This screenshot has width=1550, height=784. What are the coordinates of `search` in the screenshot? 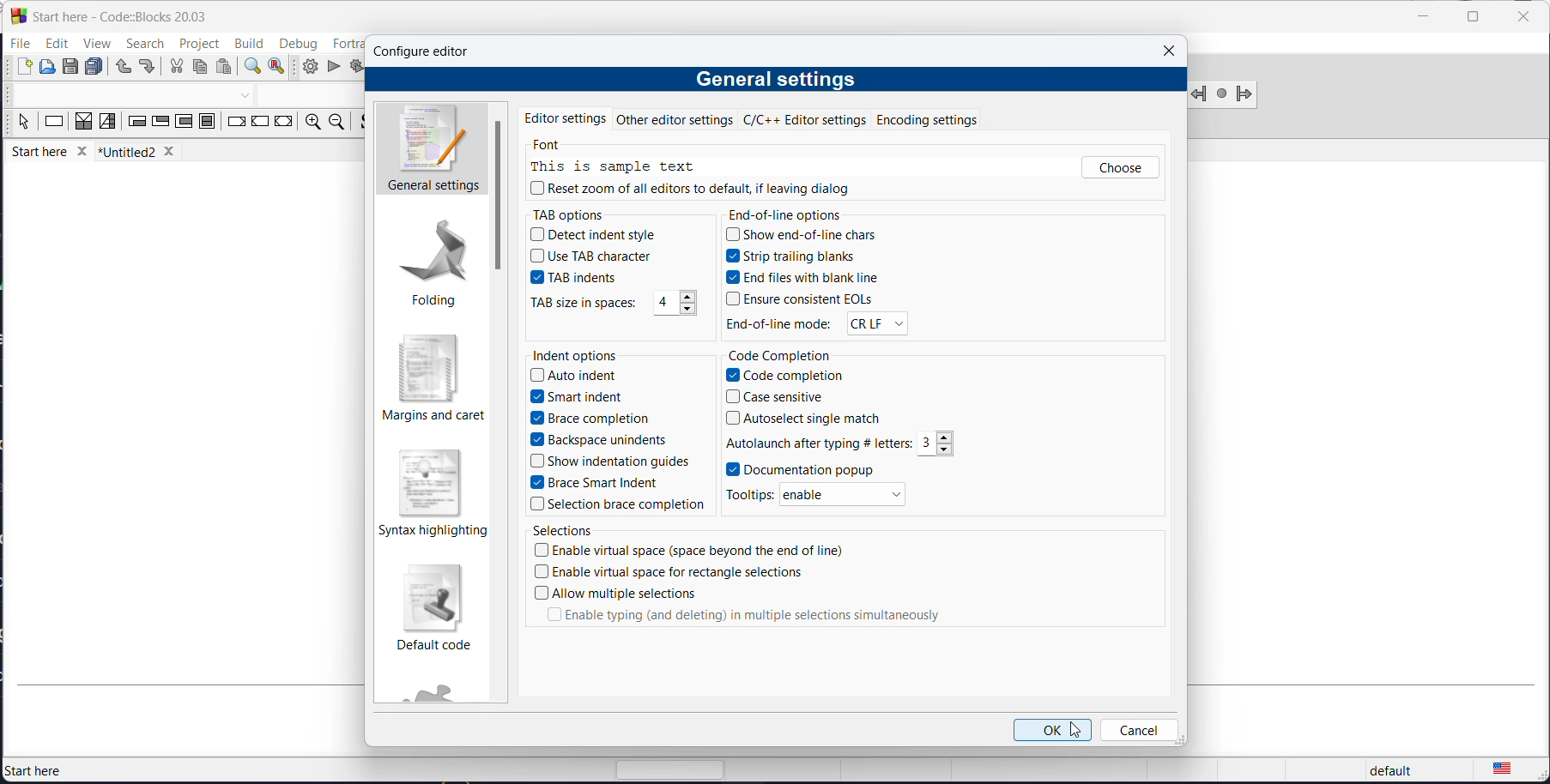 It's located at (145, 43).